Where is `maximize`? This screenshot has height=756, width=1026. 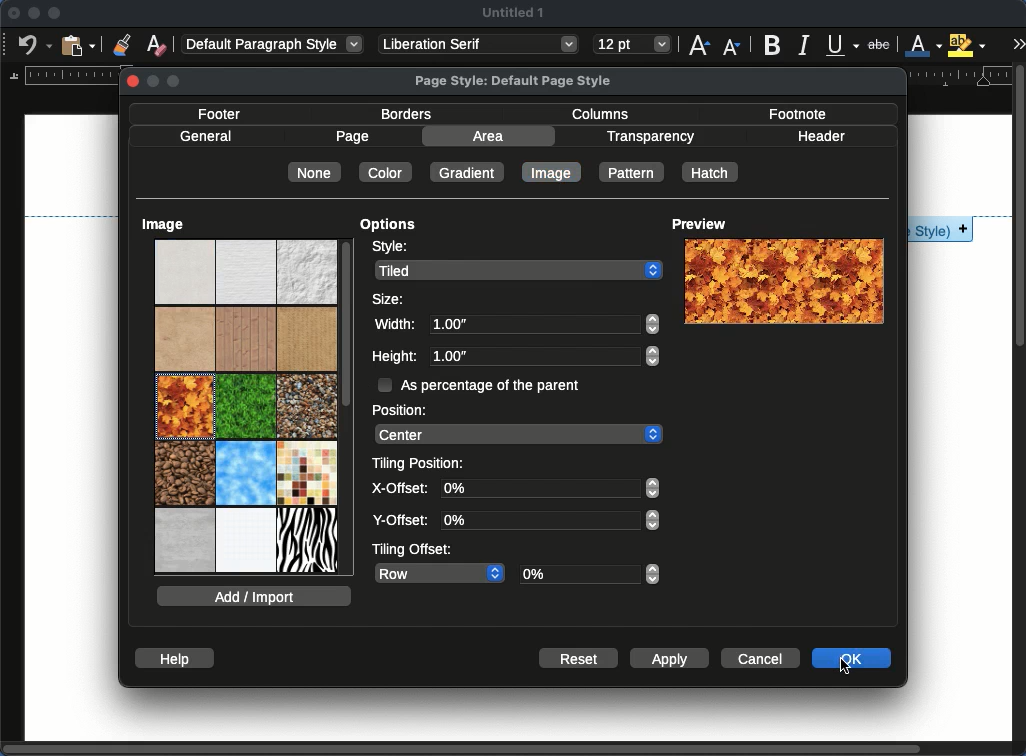 maximize is located at coordinates (55, 13).